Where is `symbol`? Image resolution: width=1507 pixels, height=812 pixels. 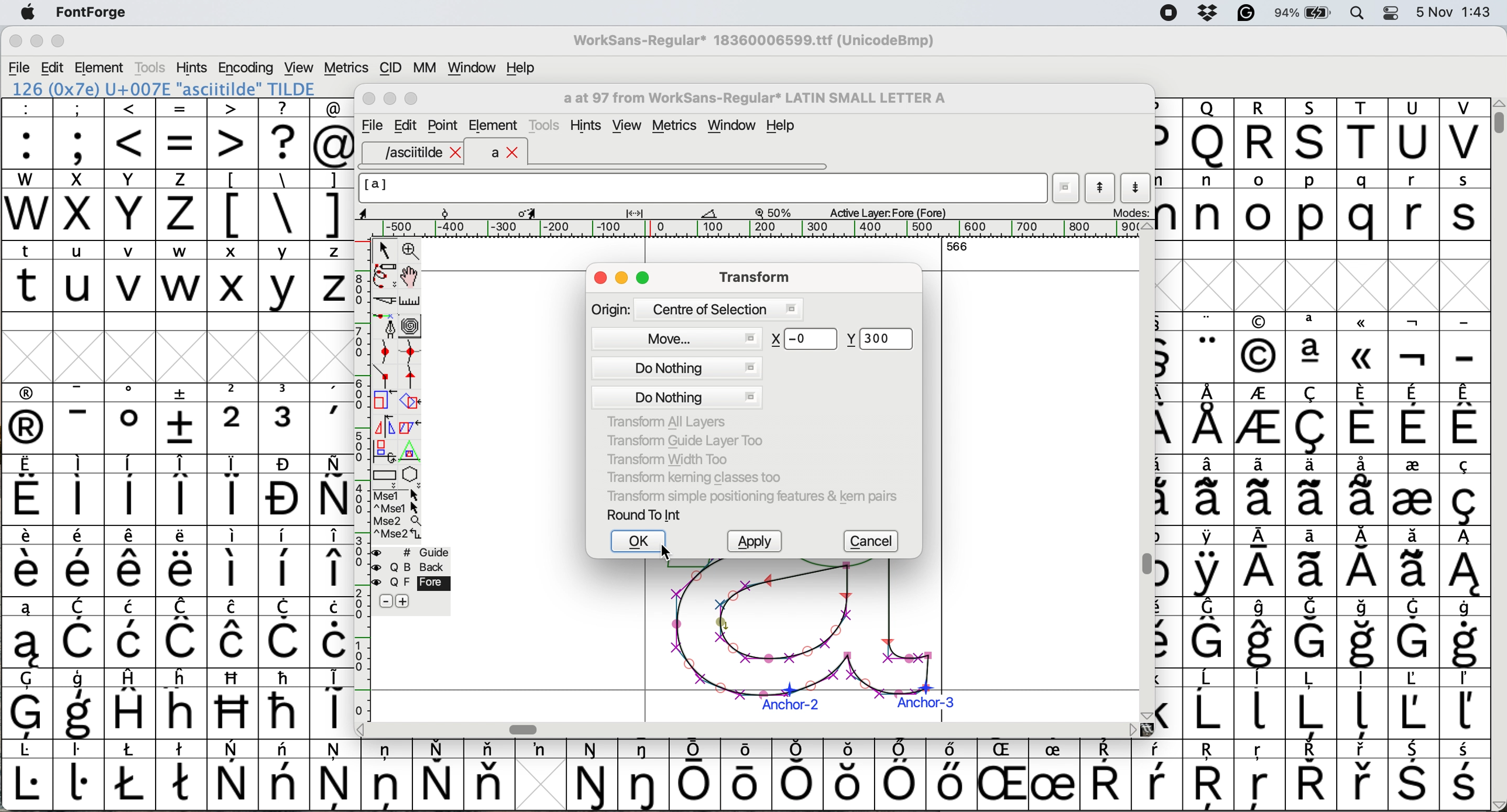 symbol is located at coordinates (130, 490).